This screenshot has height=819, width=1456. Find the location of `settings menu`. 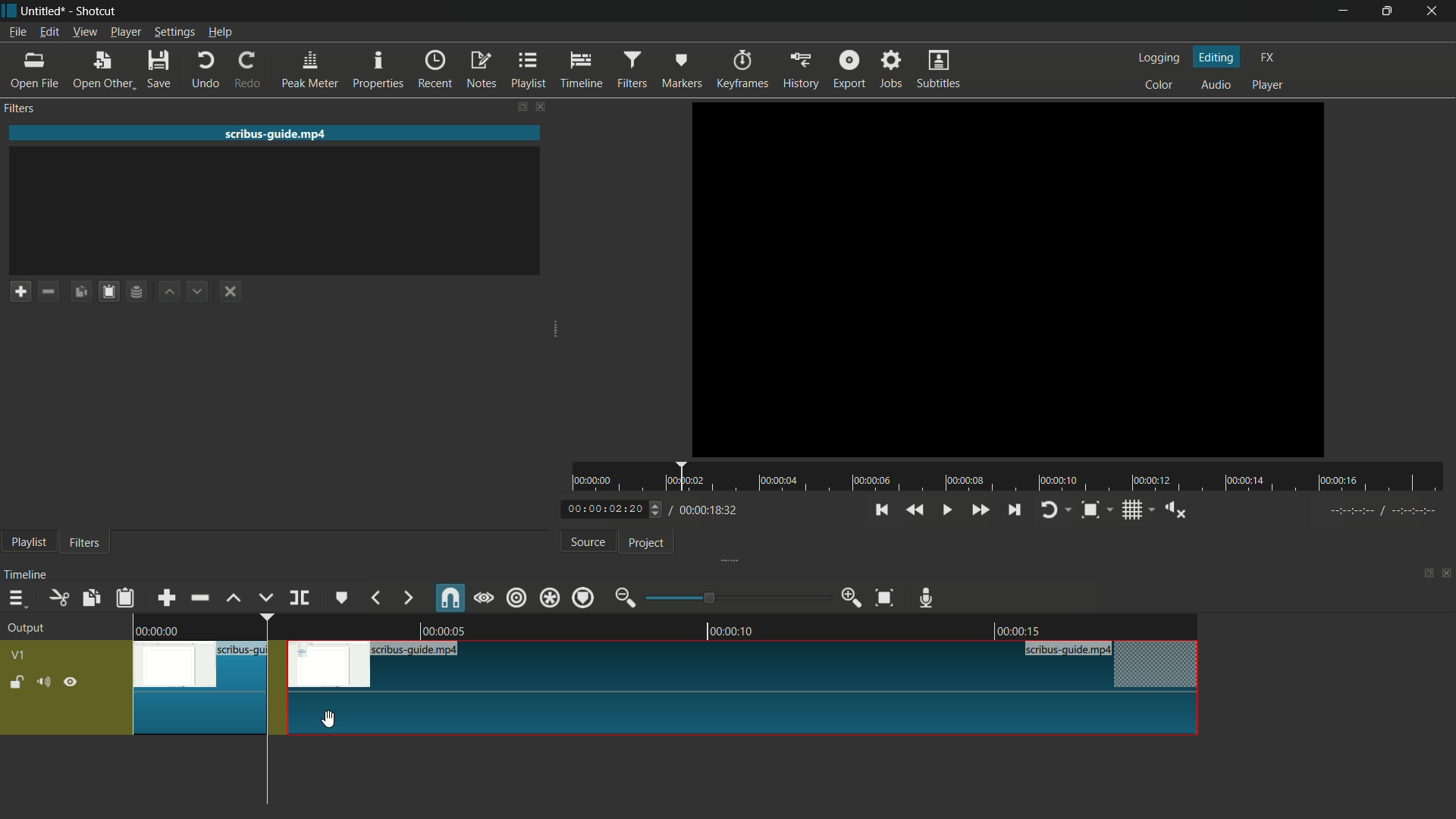

settings menu is located at coordinates (172, 32).